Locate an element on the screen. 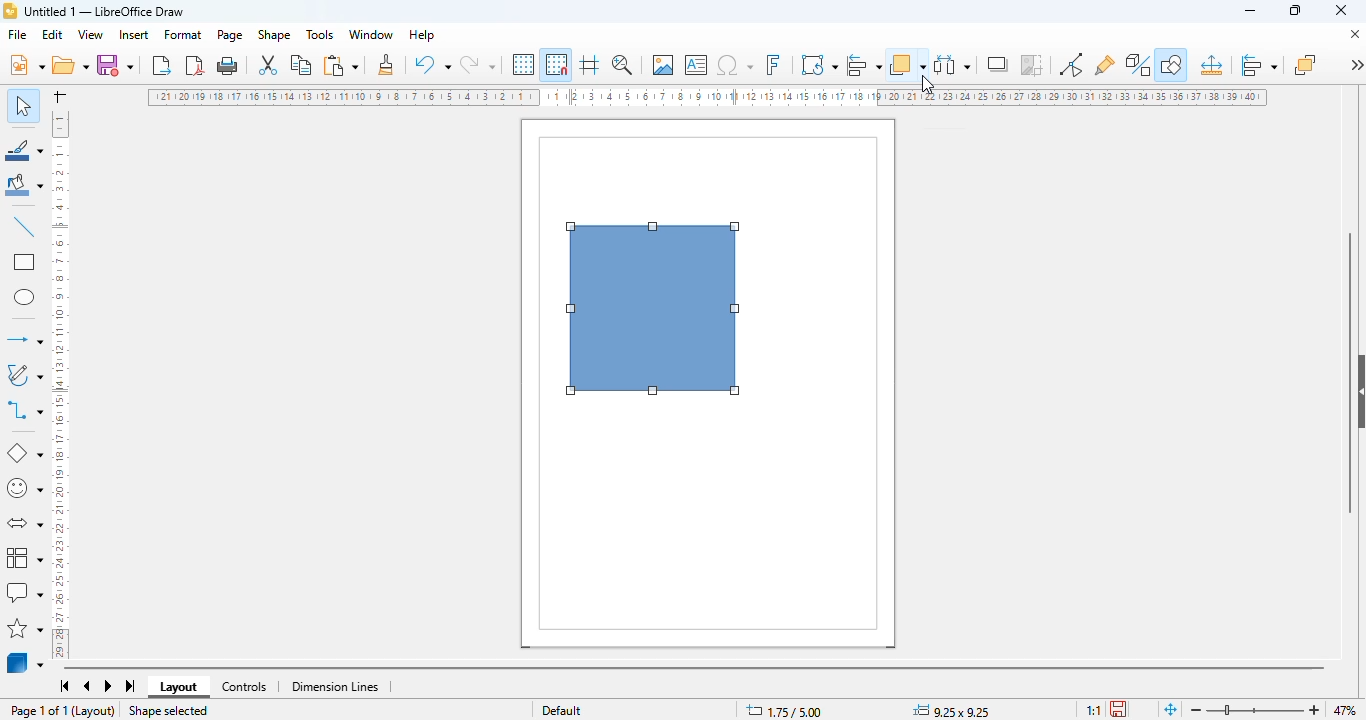 Image resolution: width=1366 pixels, height=720 pixels. close document is located at coordinates (1354, 34).